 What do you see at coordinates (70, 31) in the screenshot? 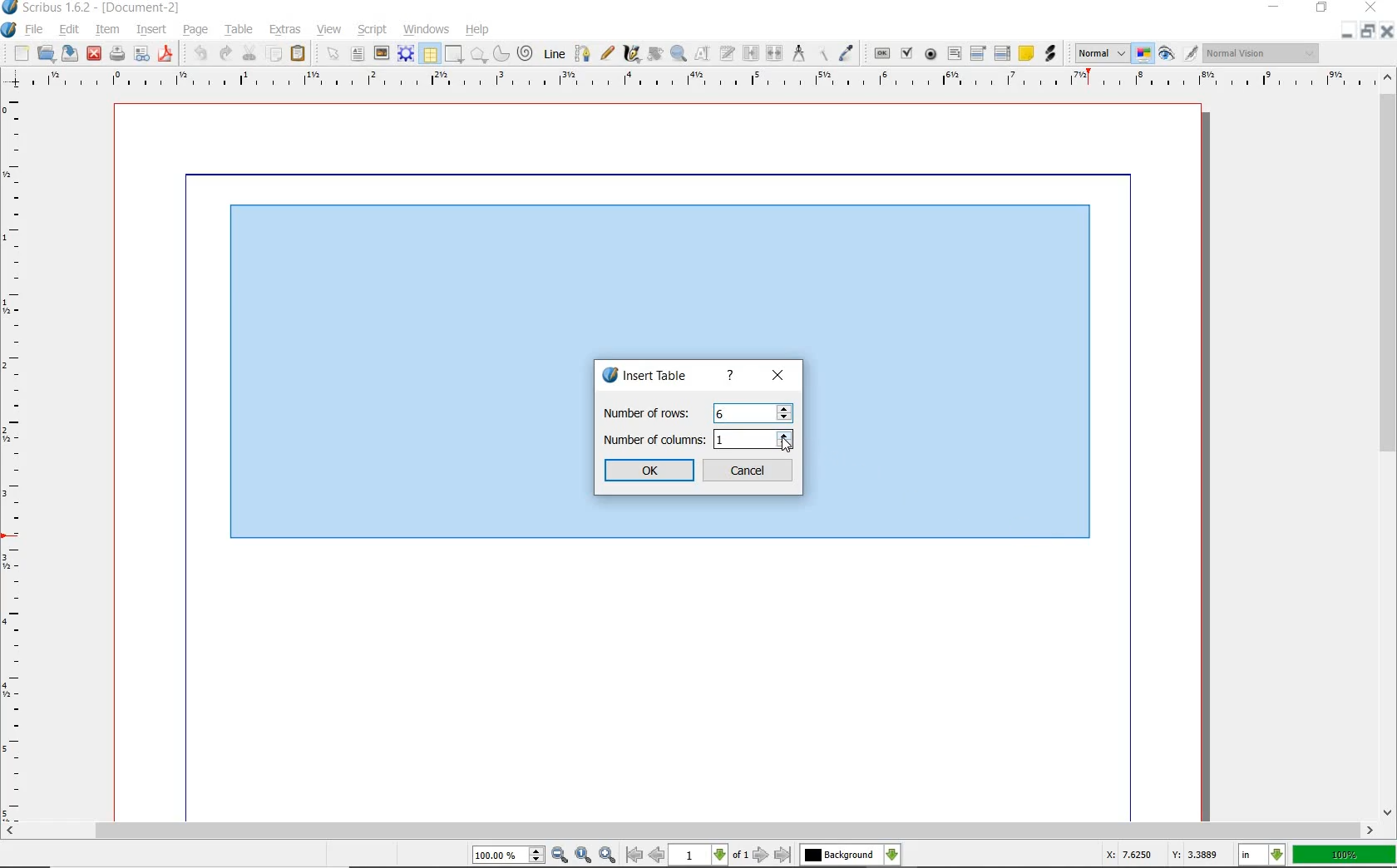
I see `edit` at bounding box center [70, 31].